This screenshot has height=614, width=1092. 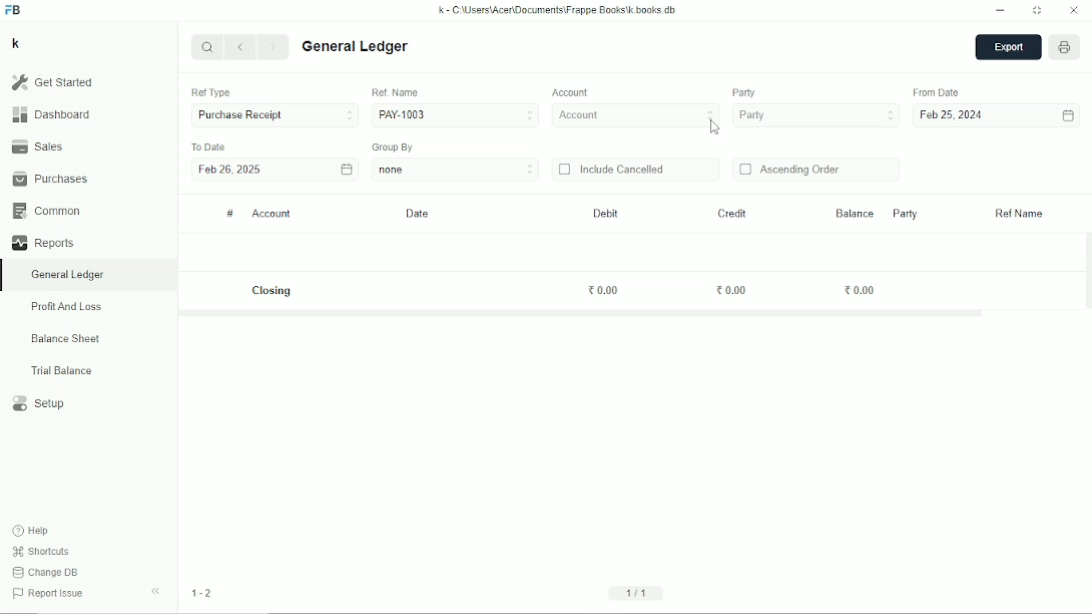 I want to click on Sales, so click(x=37, y=145).